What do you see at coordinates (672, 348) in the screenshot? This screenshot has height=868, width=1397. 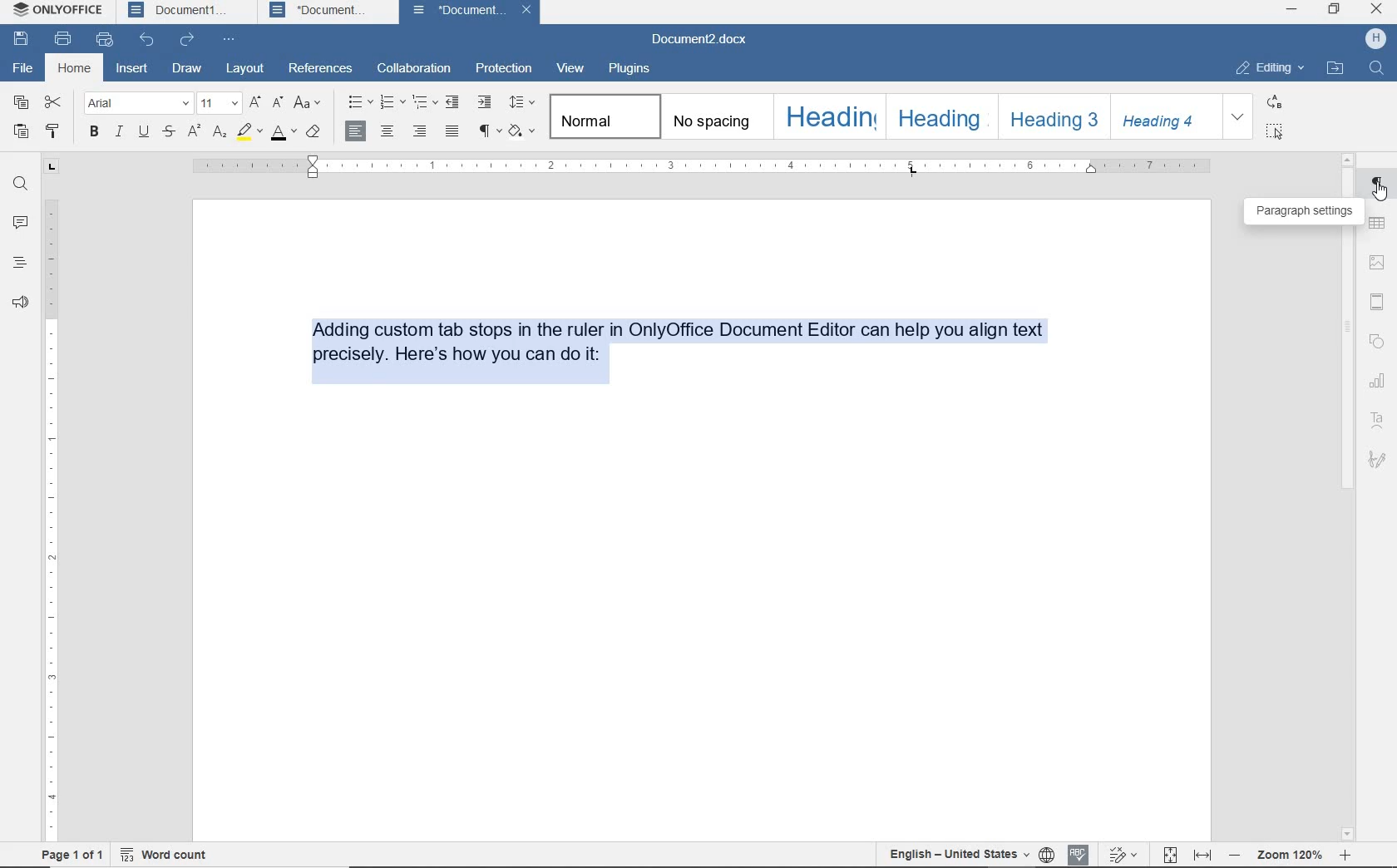 I see `Adding custom tab stops in the ruler in OnlyOffice Document Editor can help you align text
precisely. Here's how you can do it:` at bounding box center [672, 348].